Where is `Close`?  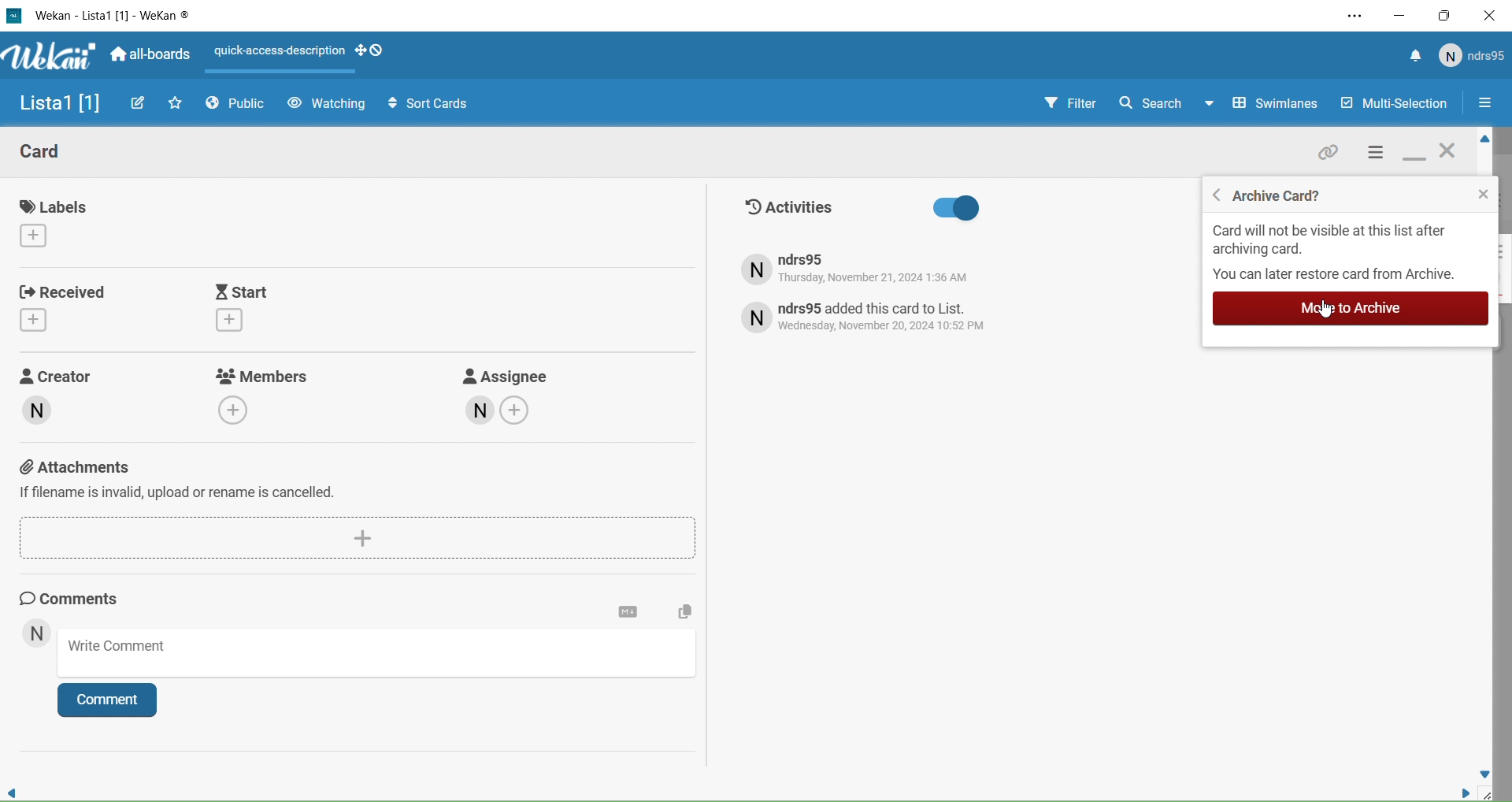
Close is located at coordinates (1488, 17).